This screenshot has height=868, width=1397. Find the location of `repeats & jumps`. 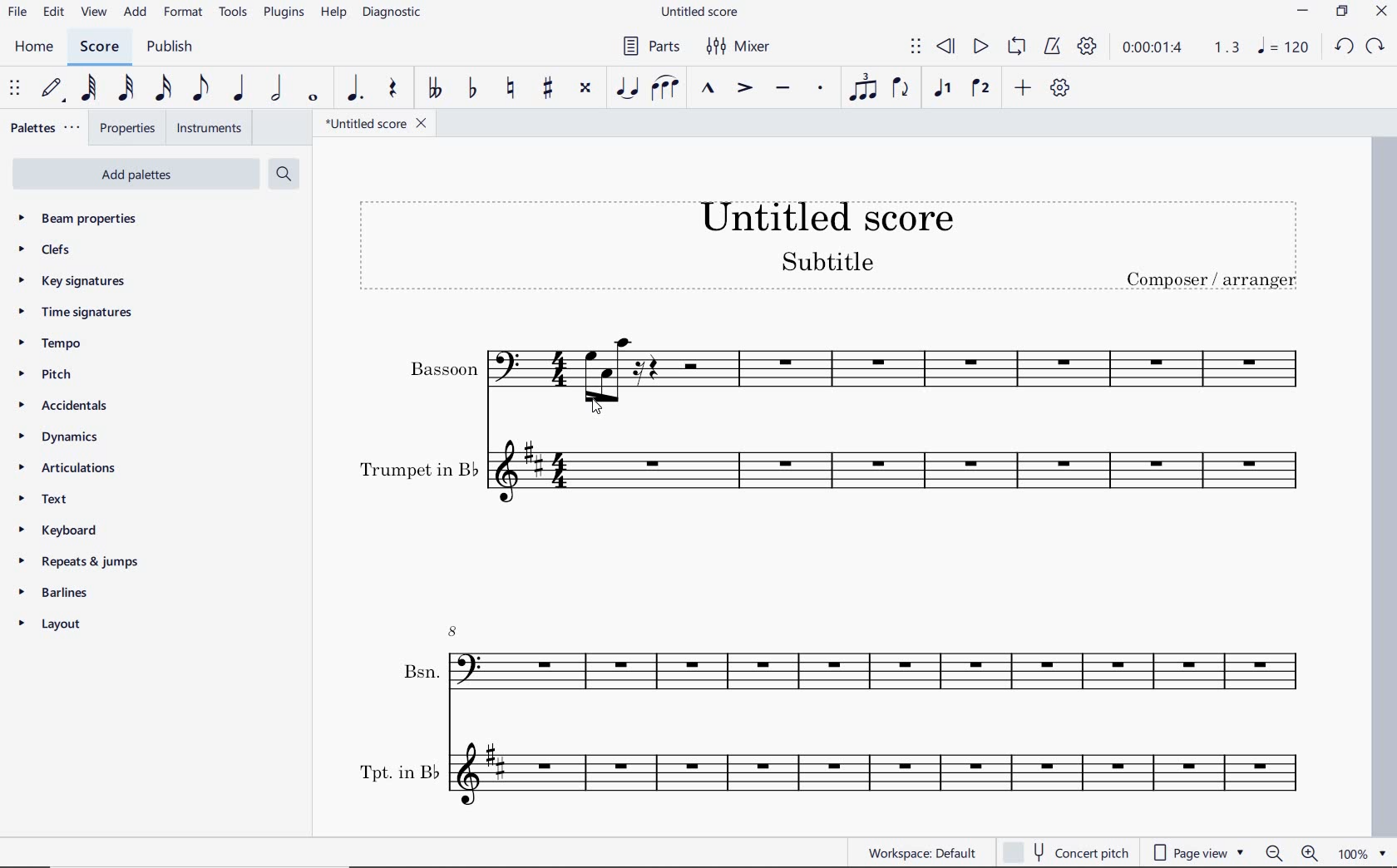

repeats & jumps is located at coordinates (86, 563).